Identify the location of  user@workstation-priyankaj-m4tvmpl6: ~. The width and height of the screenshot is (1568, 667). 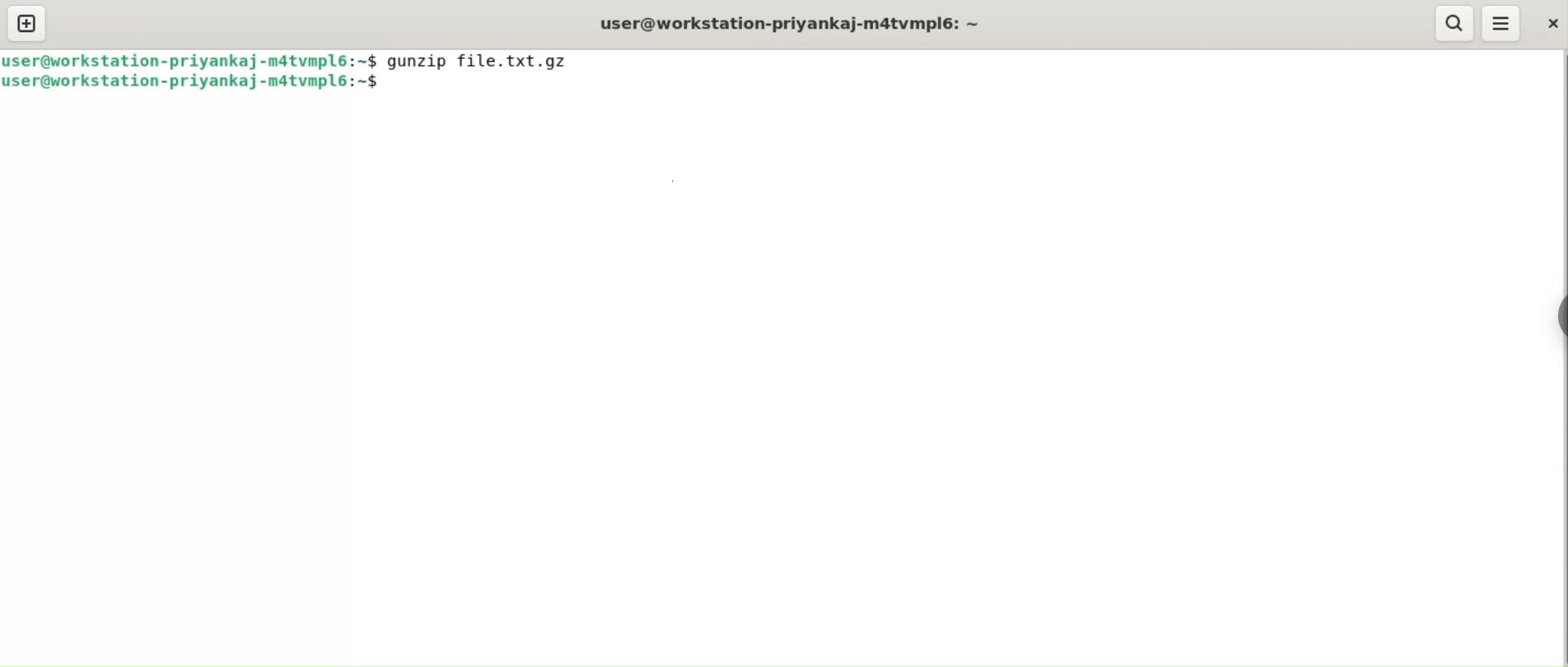
(787, 22).